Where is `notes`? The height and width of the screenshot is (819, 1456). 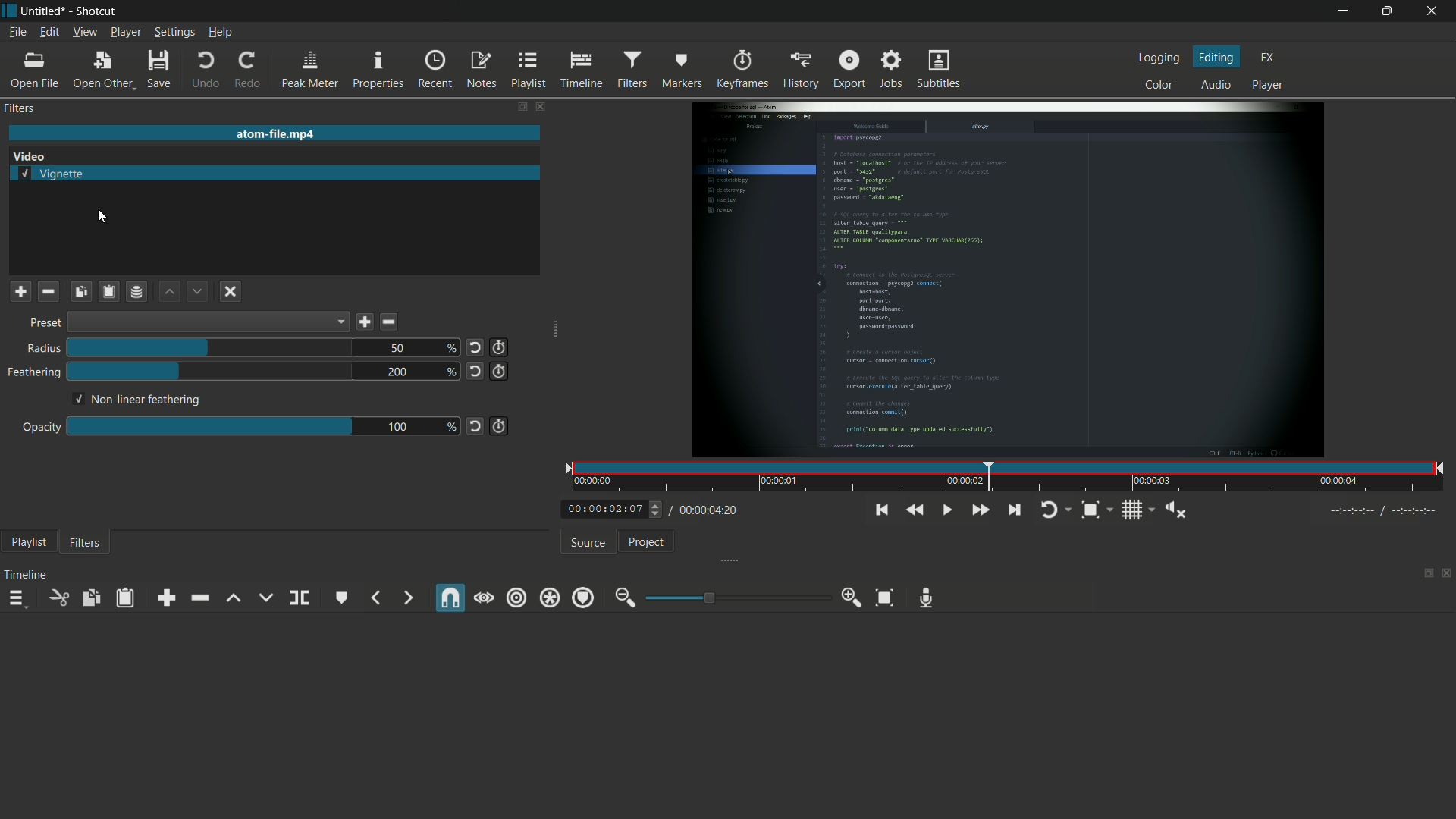 notes is located at coordinates (480, 71).